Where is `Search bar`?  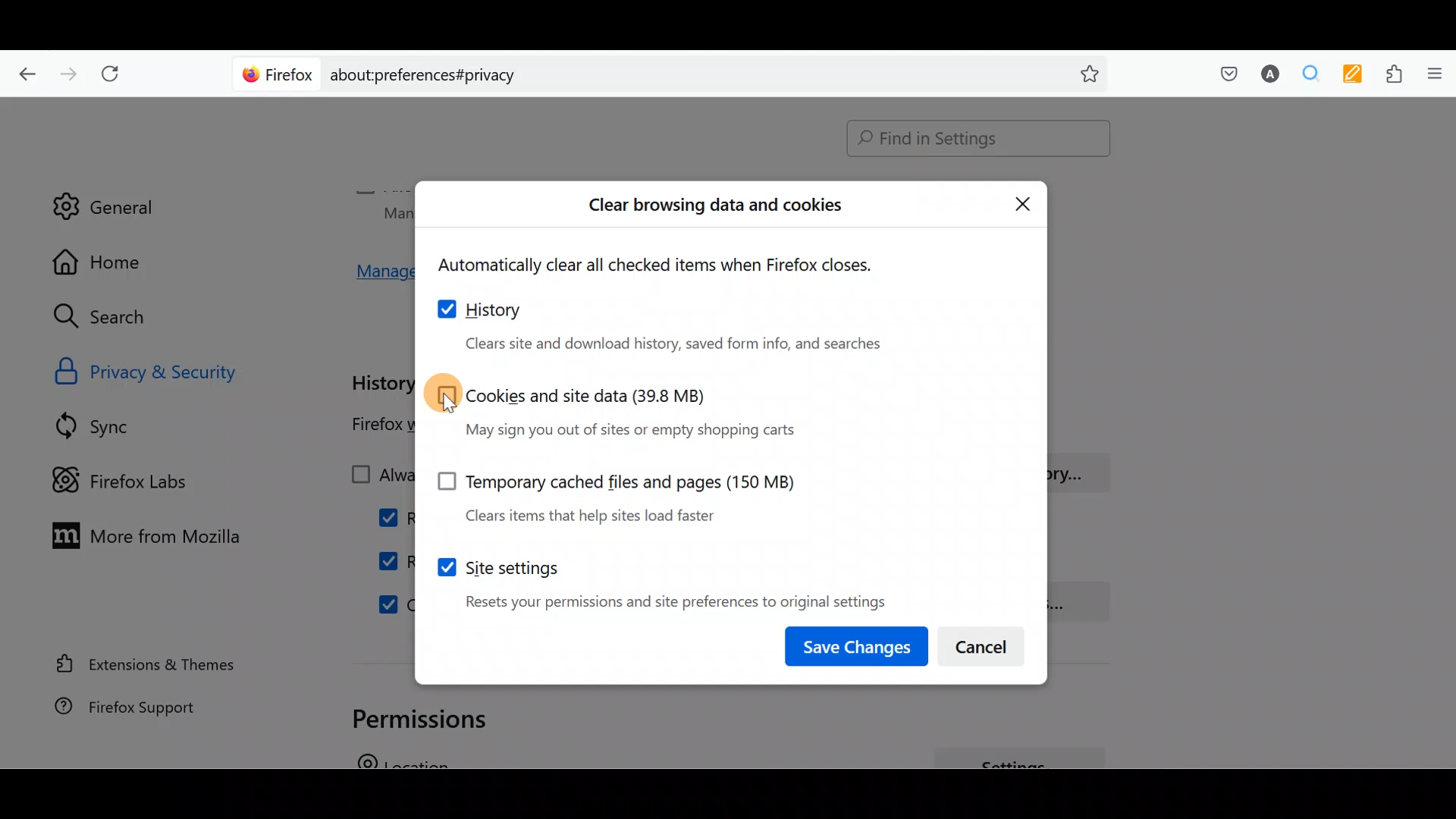 Search bar is located at coordinates (971, 140).